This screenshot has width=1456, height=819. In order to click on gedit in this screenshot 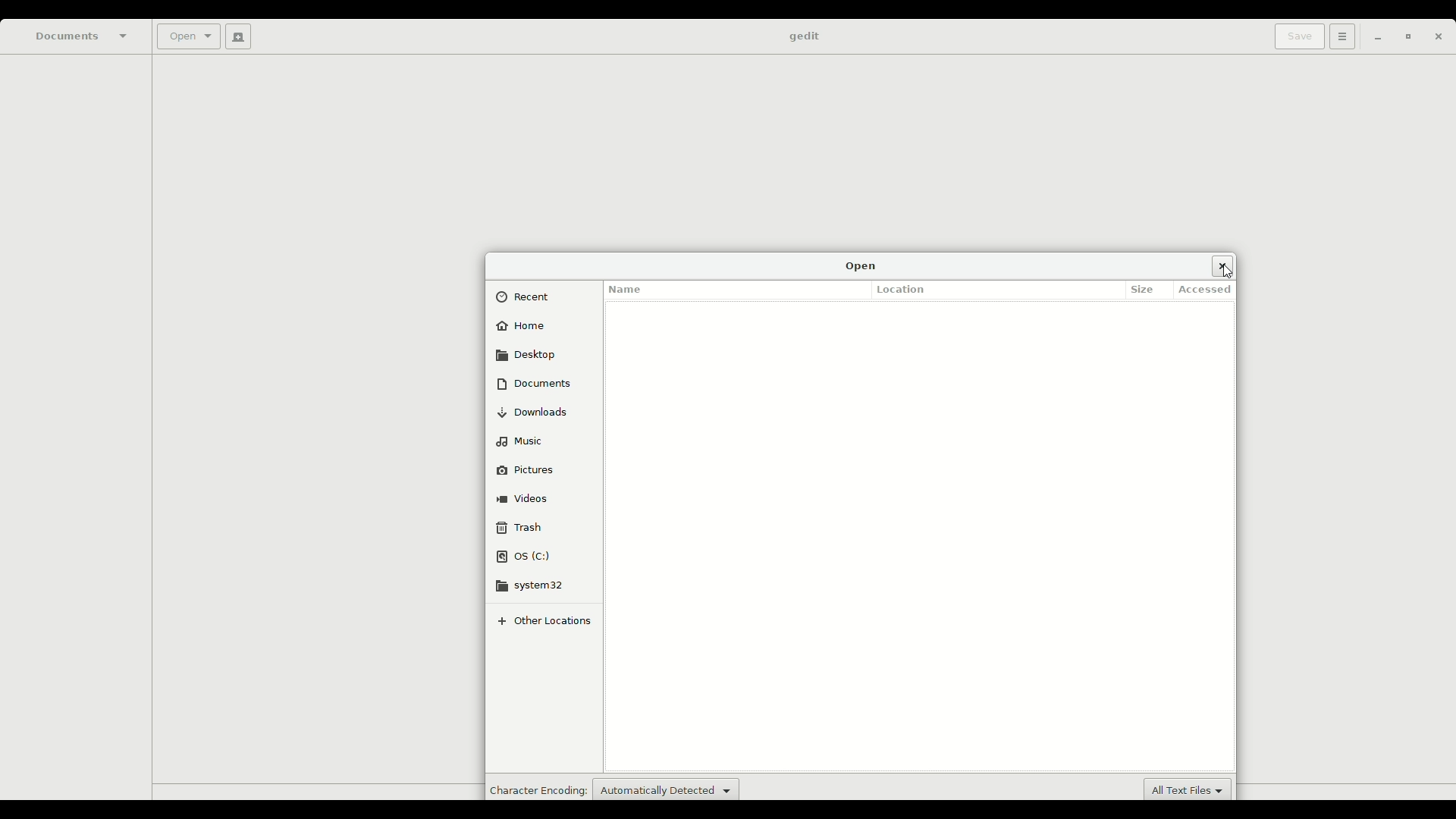, I will do `click(803, 37)`.